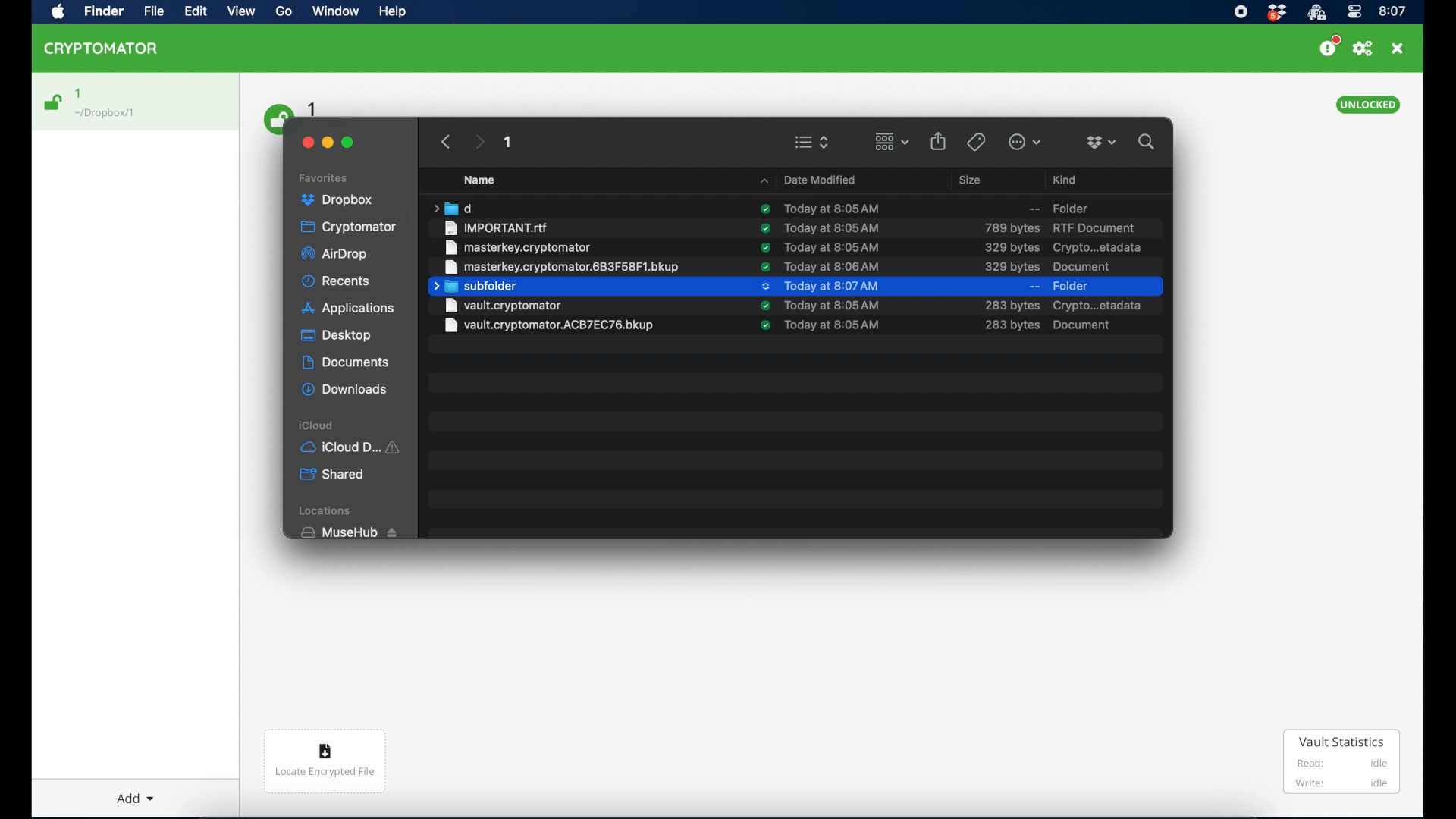  What do you see at coordinates (334, 475) in the screenshot?
I see `shared` at bounding box center [334, 475].